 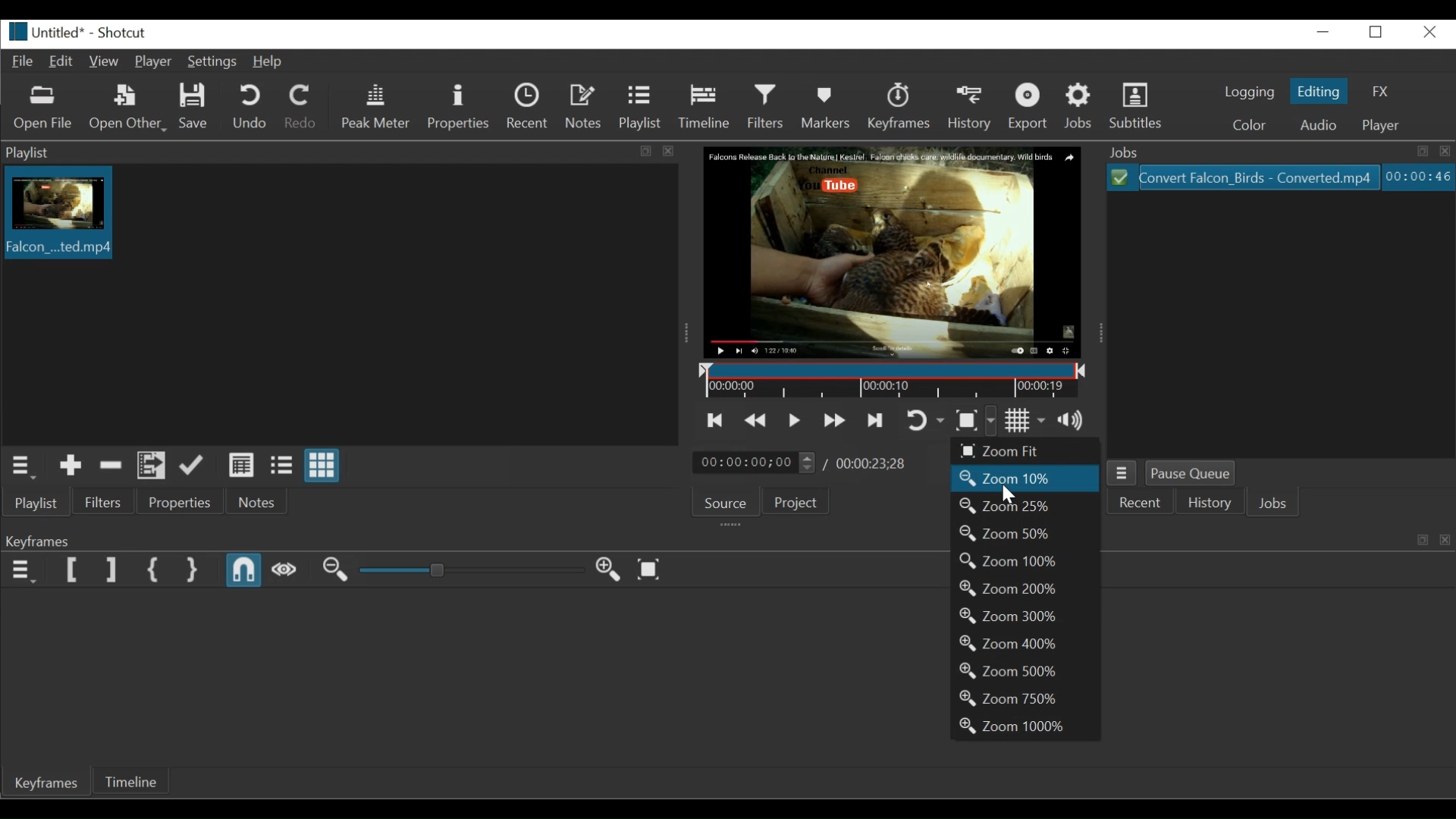 I want to click on Total Duration, so click(x=868, y=463).